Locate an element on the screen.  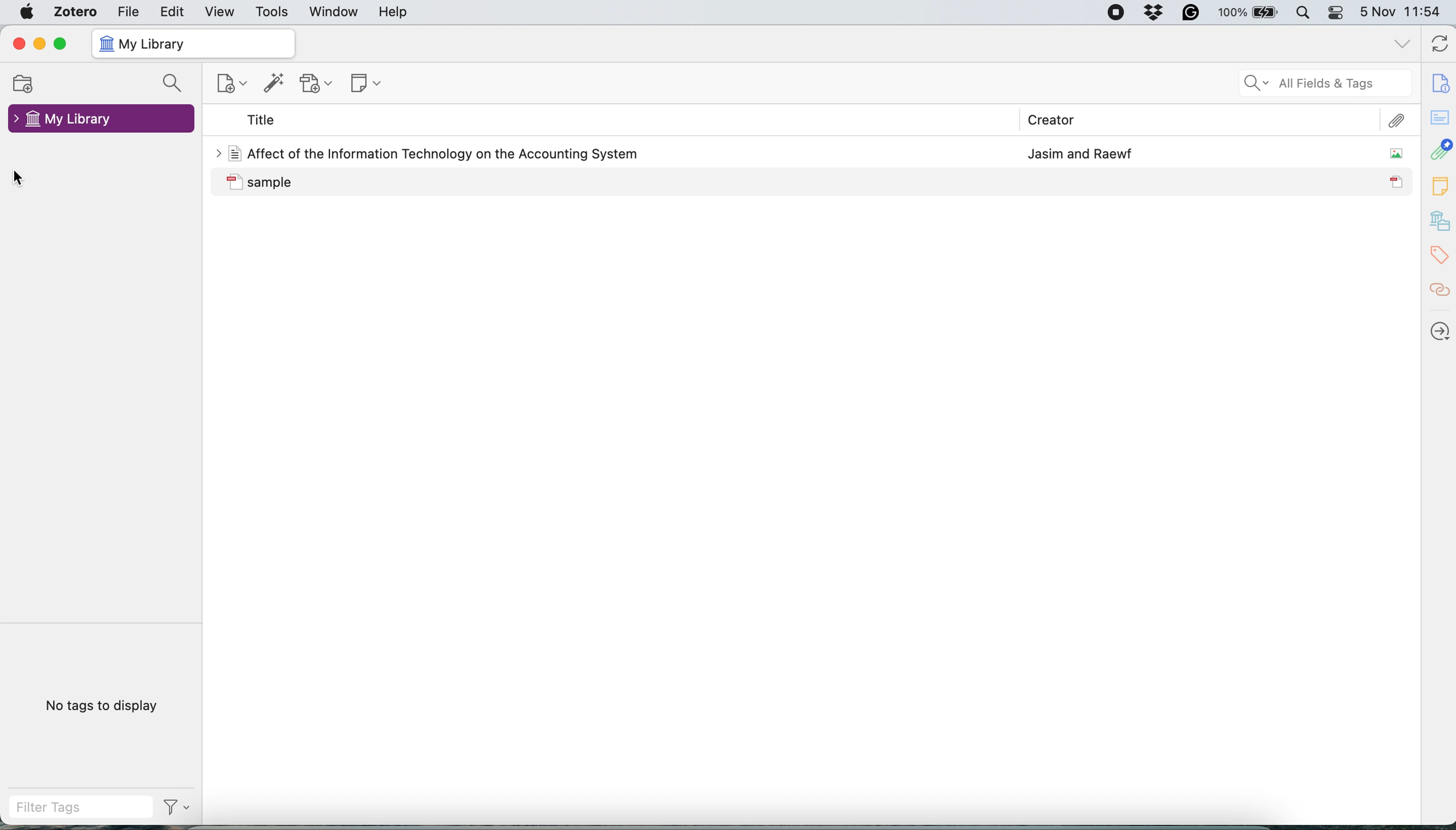
window is located at coordinates (334, 12).